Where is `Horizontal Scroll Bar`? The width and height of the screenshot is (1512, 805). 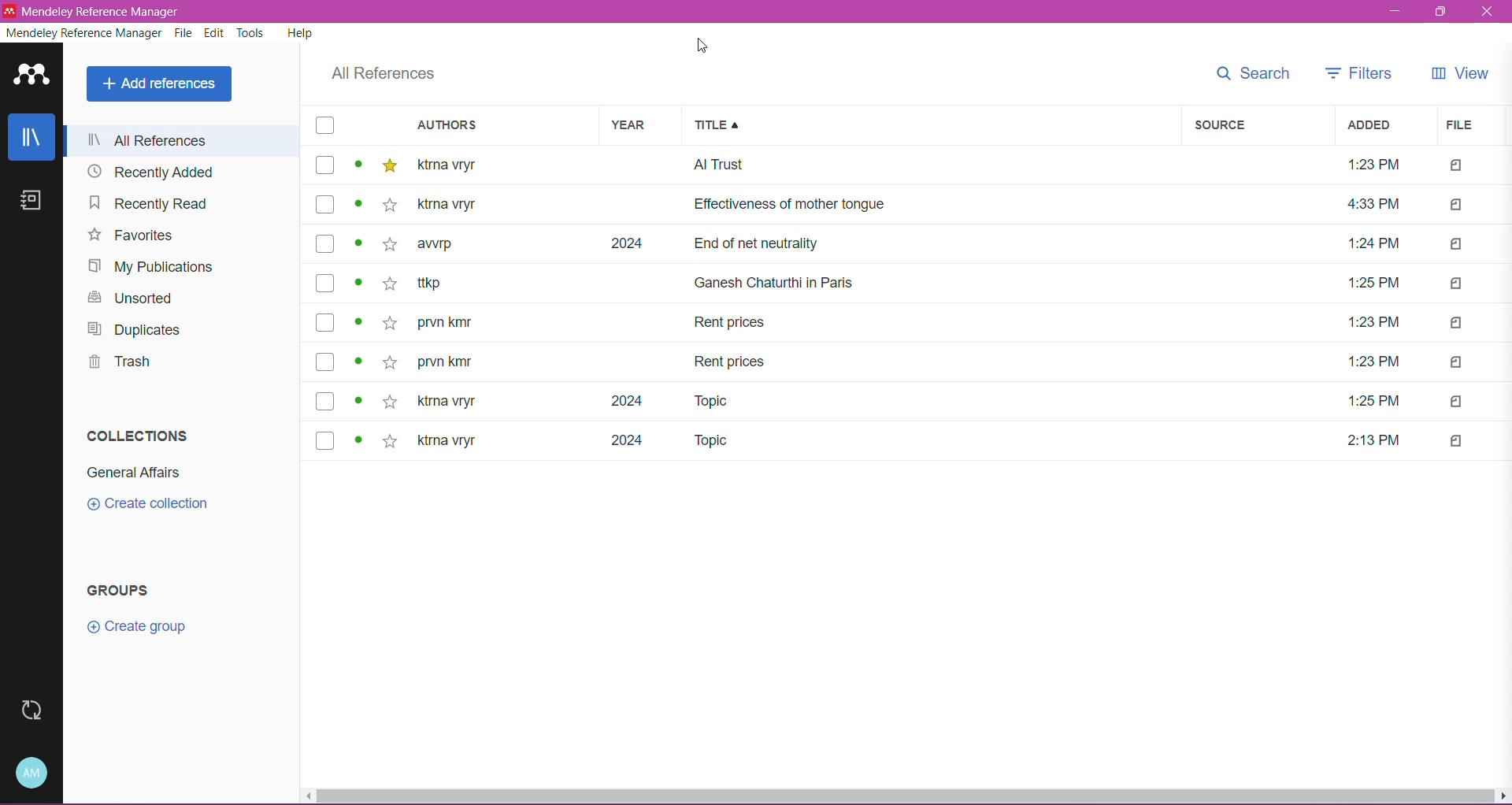
Horizontal Scroll Bar is located at coordinates (906, 796).